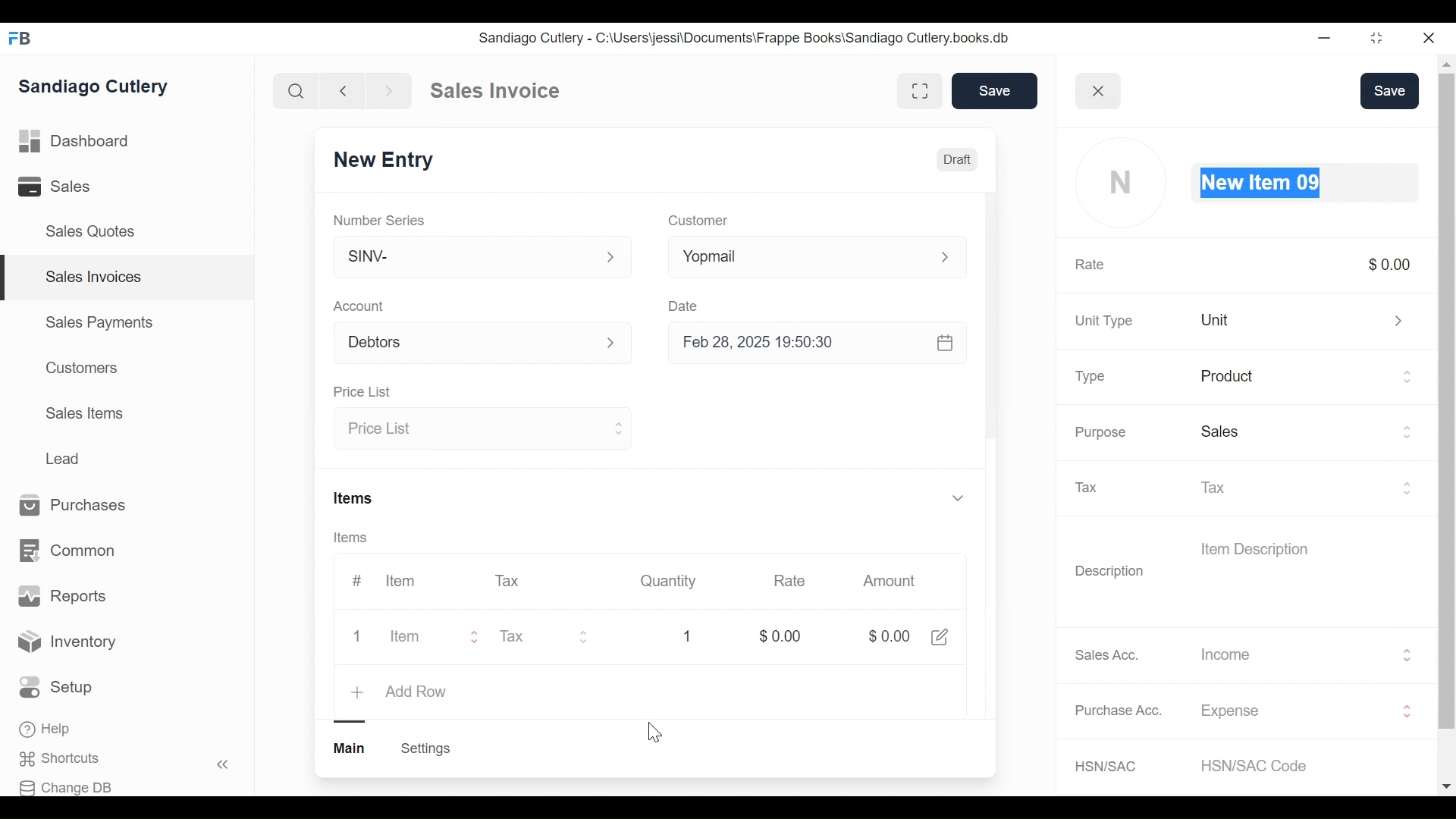 The height and width of the screenshot is (819, 1456). I want to click on Sandiago Cutlery, so click(98, 86).